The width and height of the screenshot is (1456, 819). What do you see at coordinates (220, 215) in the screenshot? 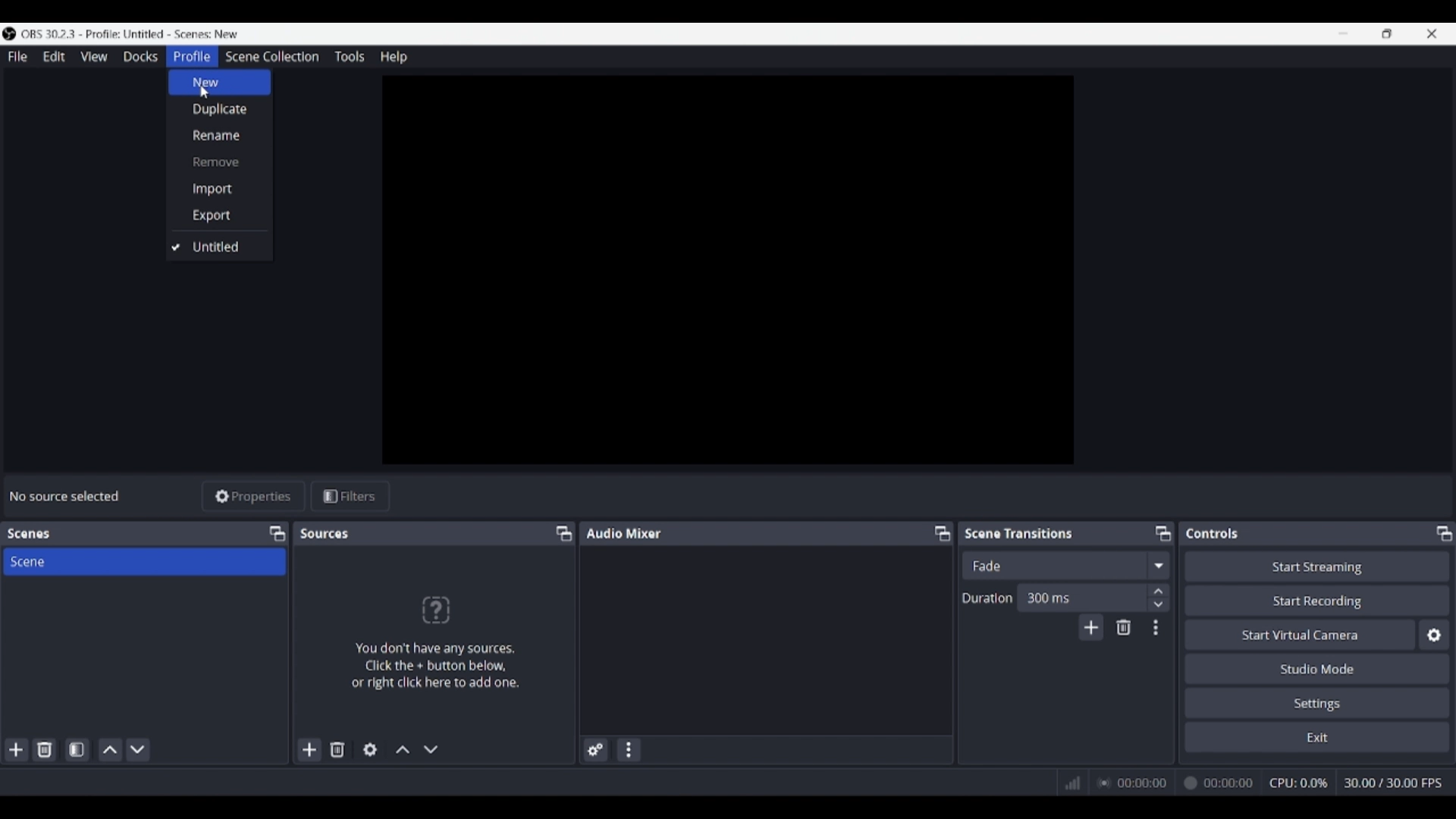
I see `Export` at bounding box center [220, 215].